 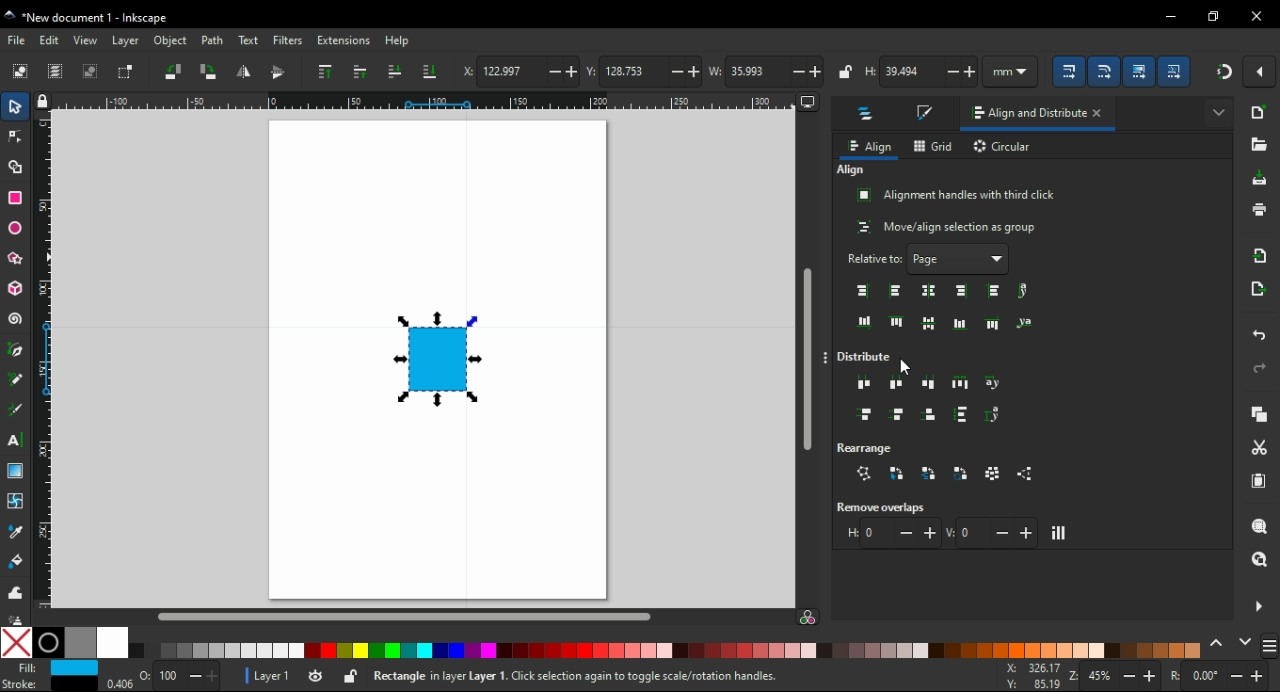 I want to click on align right edges, so click(x=963, y=291).